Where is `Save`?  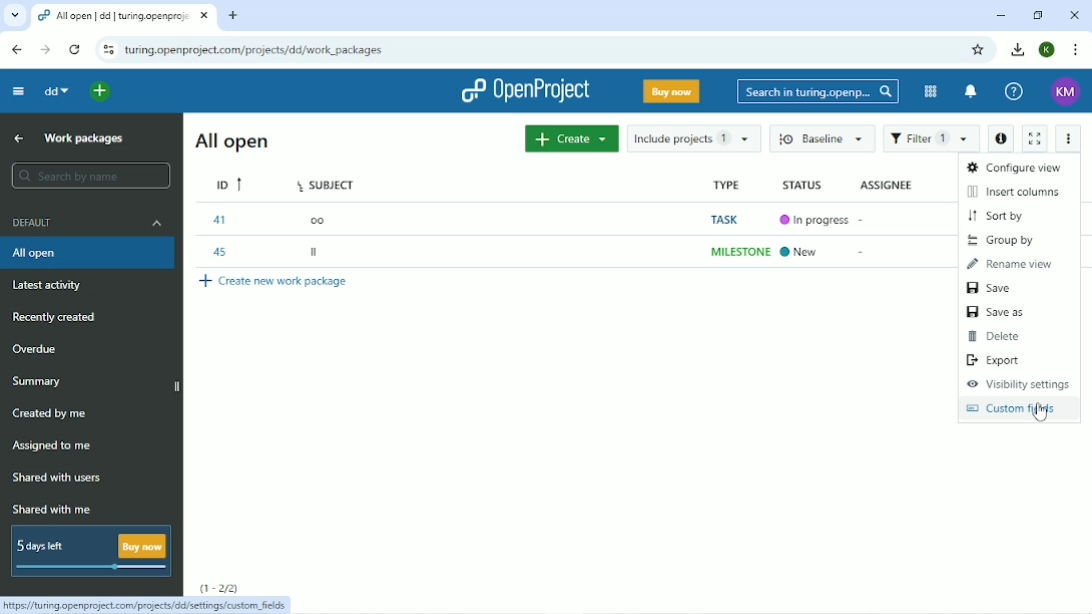 Save is located at coordinates (993, 289).